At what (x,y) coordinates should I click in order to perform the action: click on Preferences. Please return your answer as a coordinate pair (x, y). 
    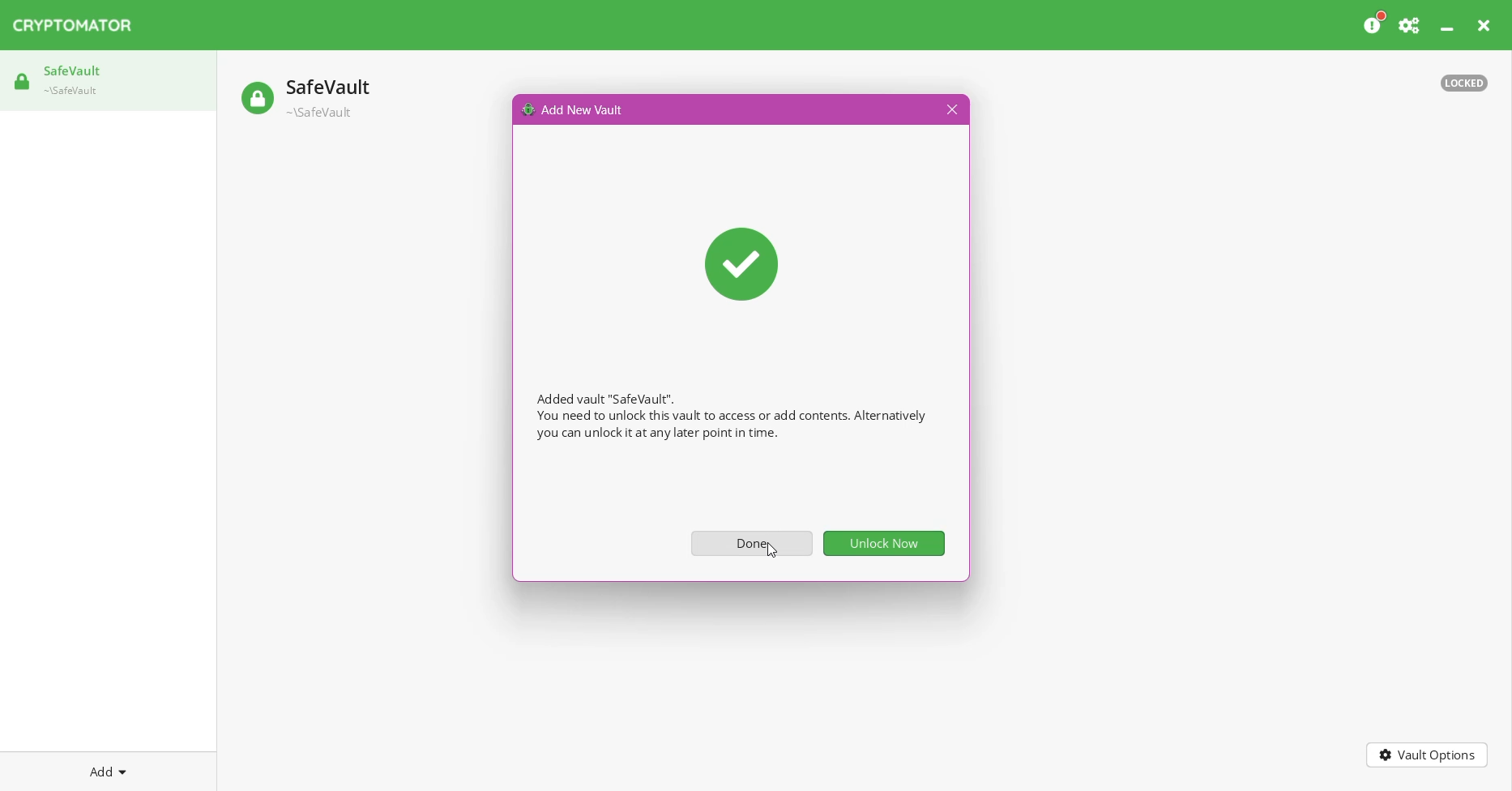
    Looking at the image, I should click on (1411, 25).